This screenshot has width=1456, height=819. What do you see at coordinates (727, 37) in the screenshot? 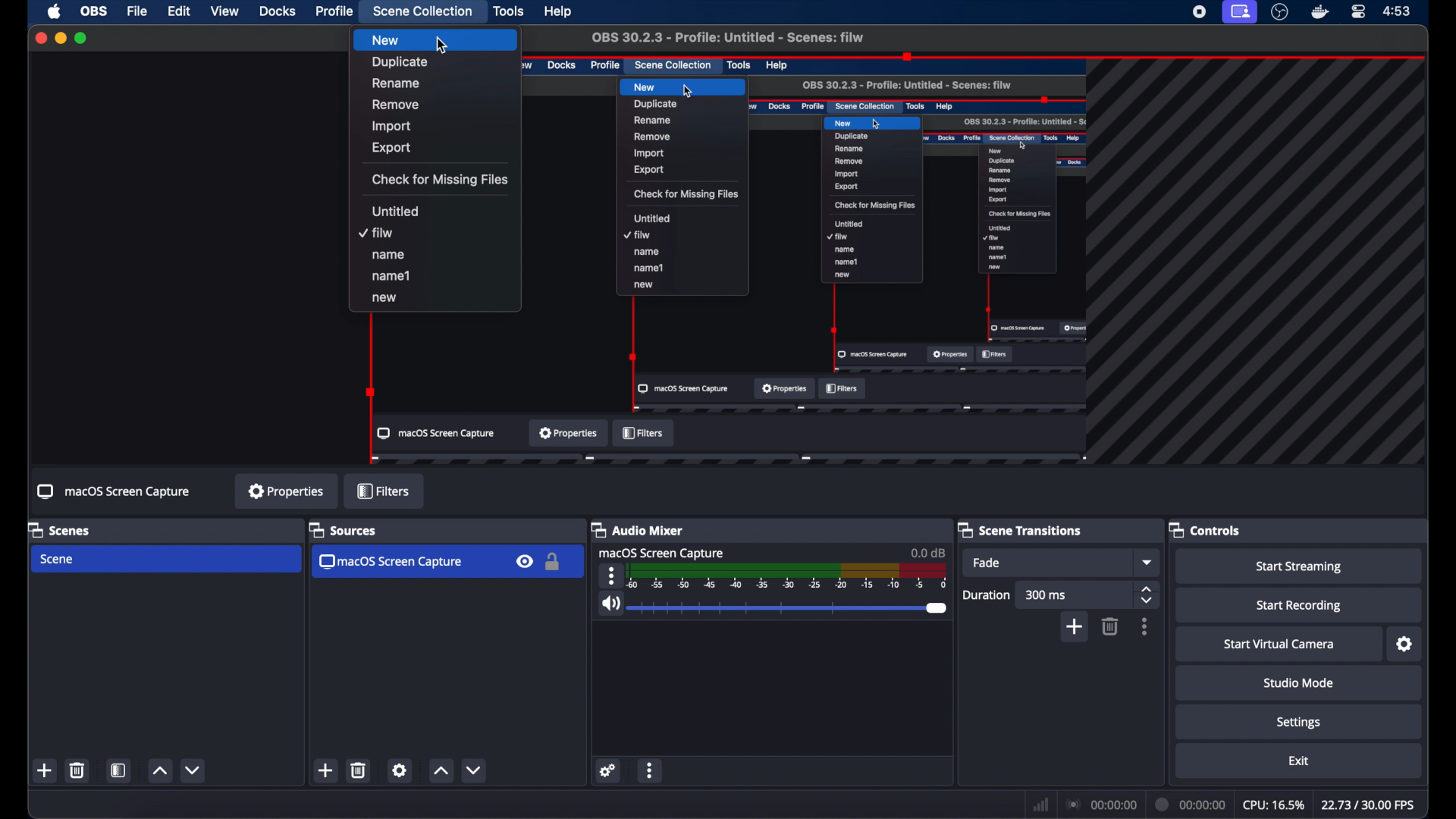
I see `OBS 30.2.3 - Profile: Untitled -Scenes : filw` at bounding box center [727, 37].